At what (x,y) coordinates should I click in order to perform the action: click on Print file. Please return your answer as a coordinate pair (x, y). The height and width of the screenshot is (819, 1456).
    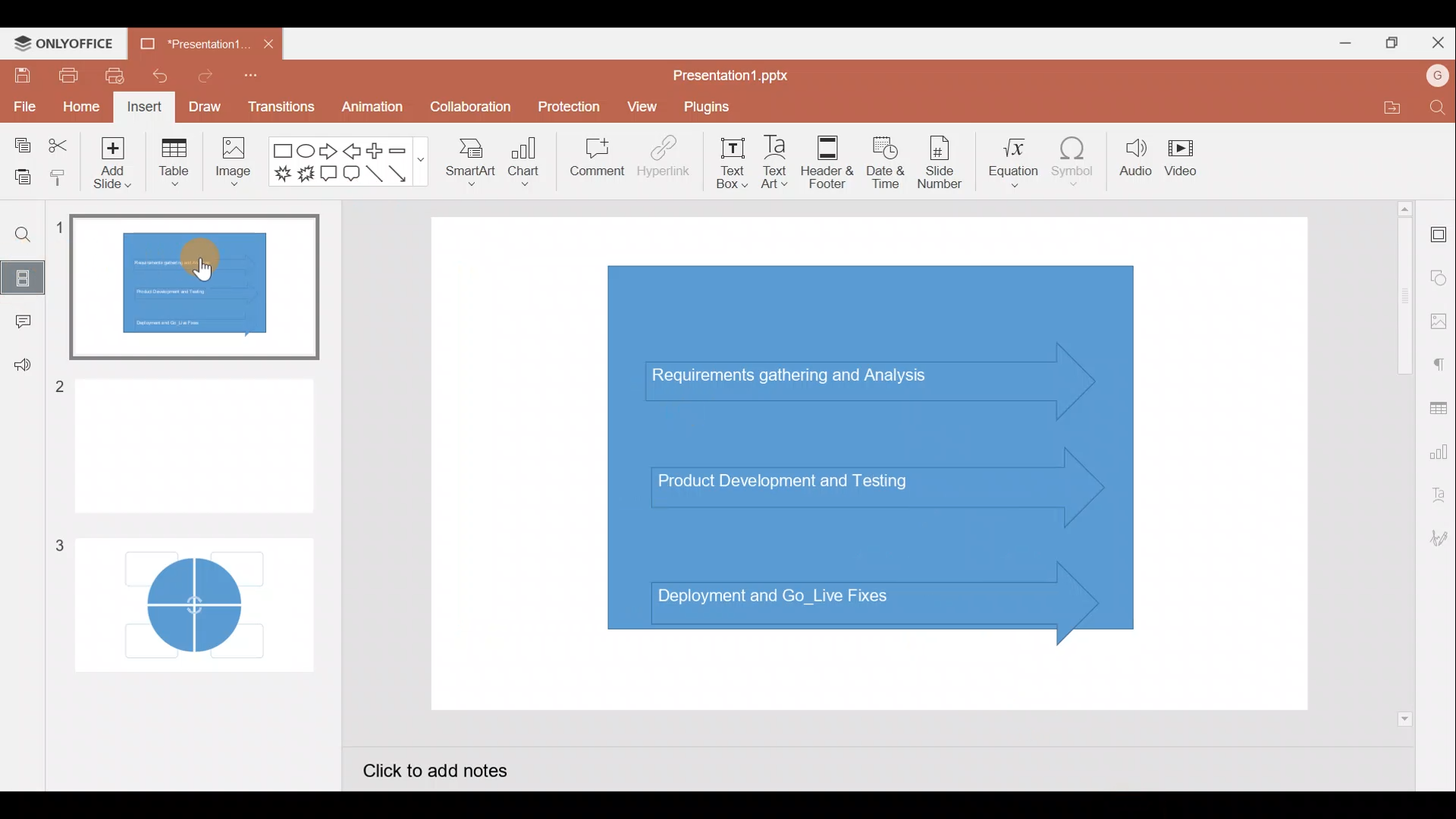
    Looking at the image, I should click on (63, 76).